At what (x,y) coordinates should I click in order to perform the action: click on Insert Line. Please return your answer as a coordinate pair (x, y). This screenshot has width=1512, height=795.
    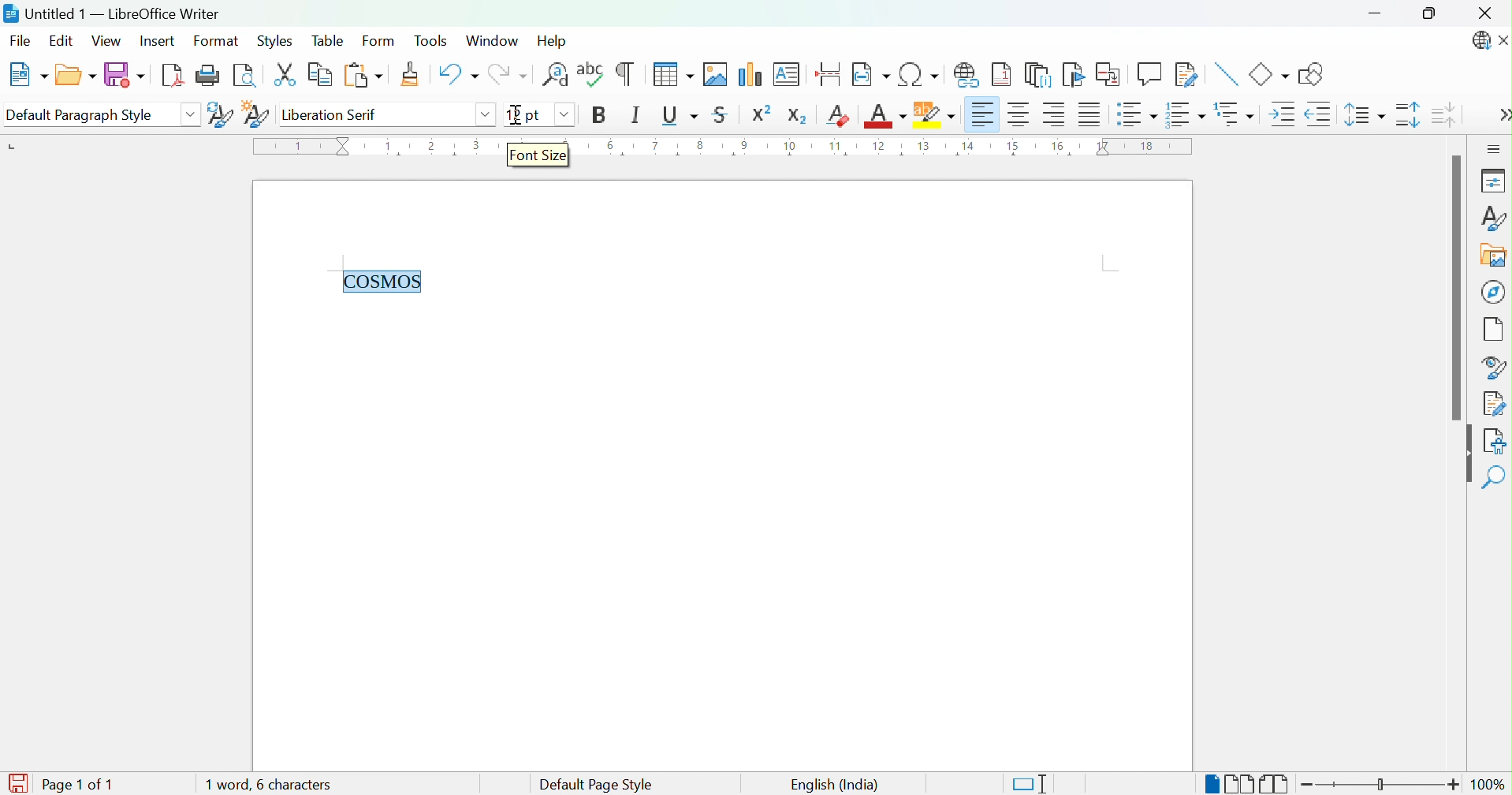
    Looking at the image, I should click on (1224, 72).